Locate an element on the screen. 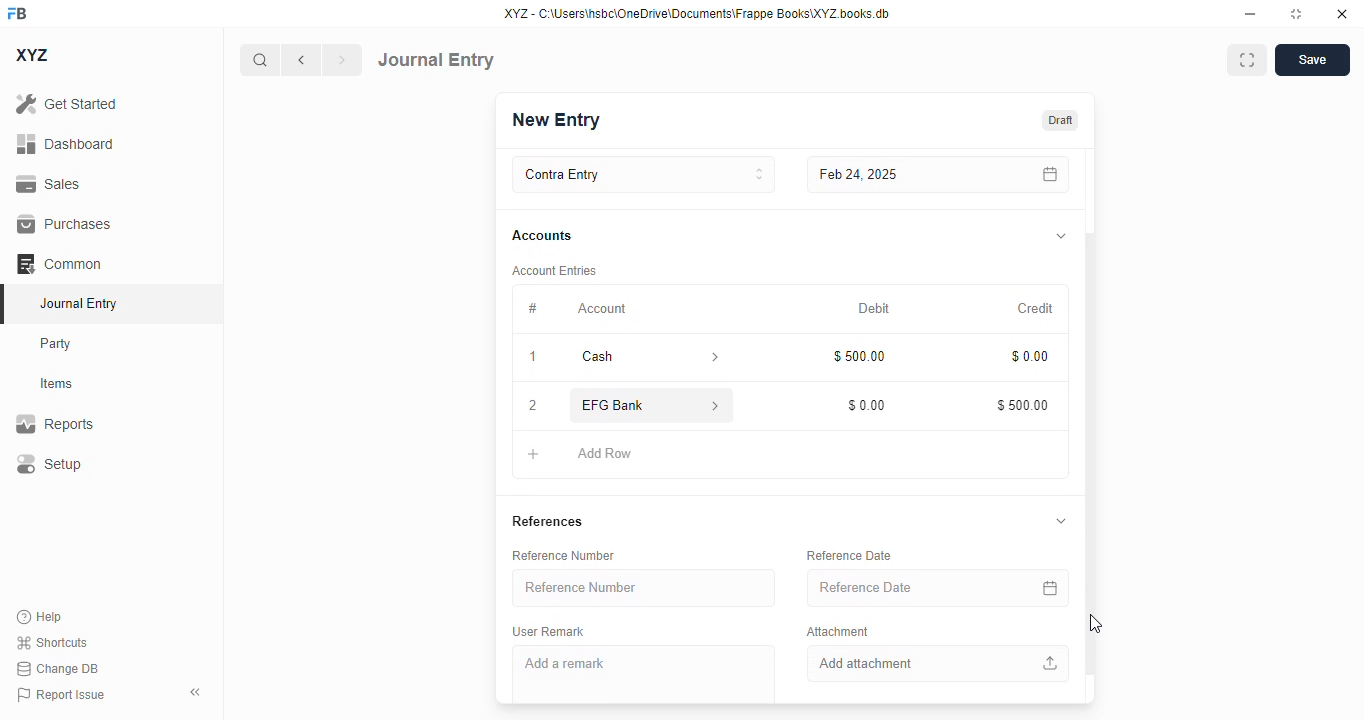 The width and height of the screenshot is (1364, 720). credit is located at coordinates (1035, 308).